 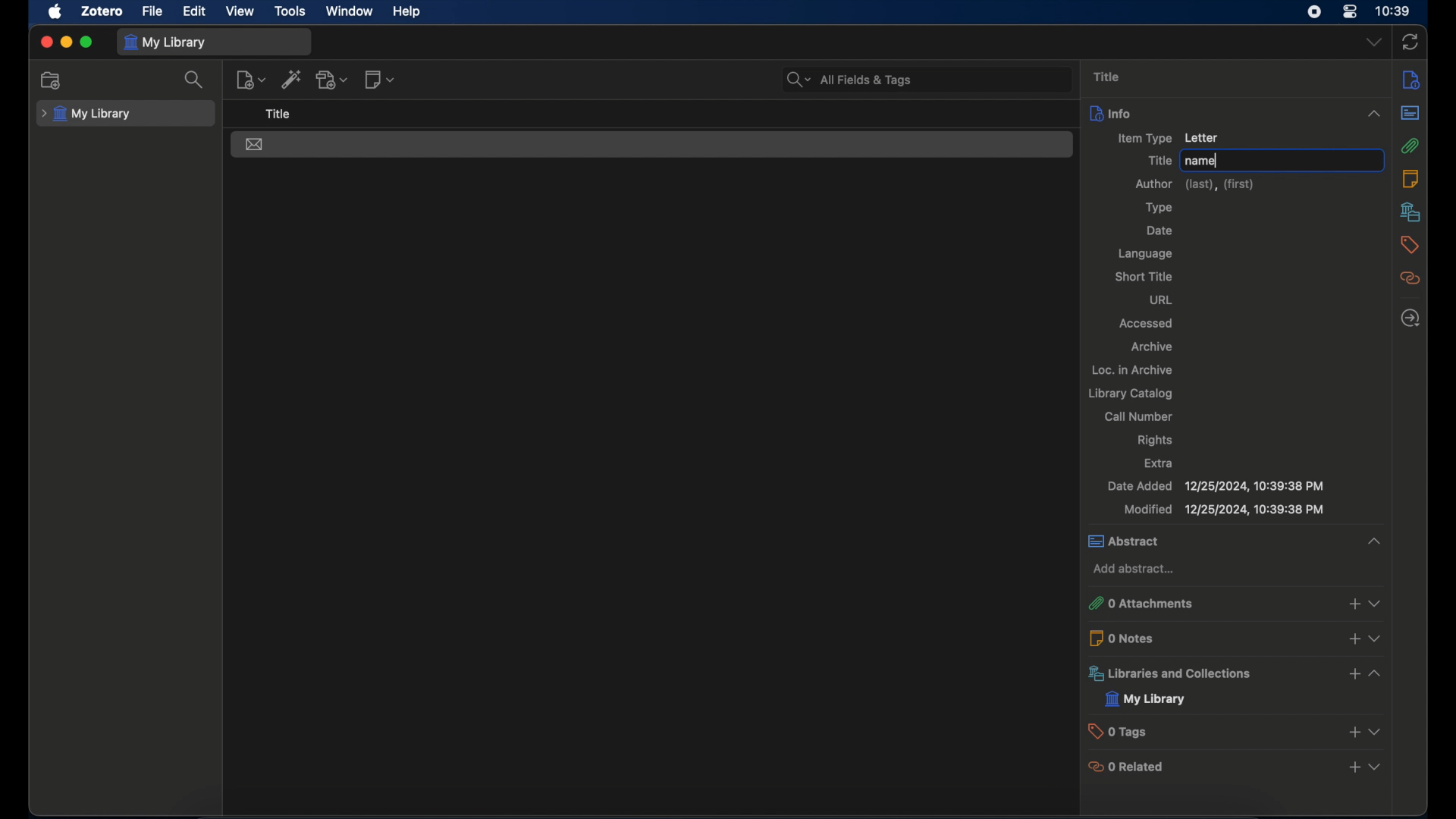 What do you see at coordinates (1124, 541) in the screenshot?
I see `abstract` at bounding box center [1124, 541].